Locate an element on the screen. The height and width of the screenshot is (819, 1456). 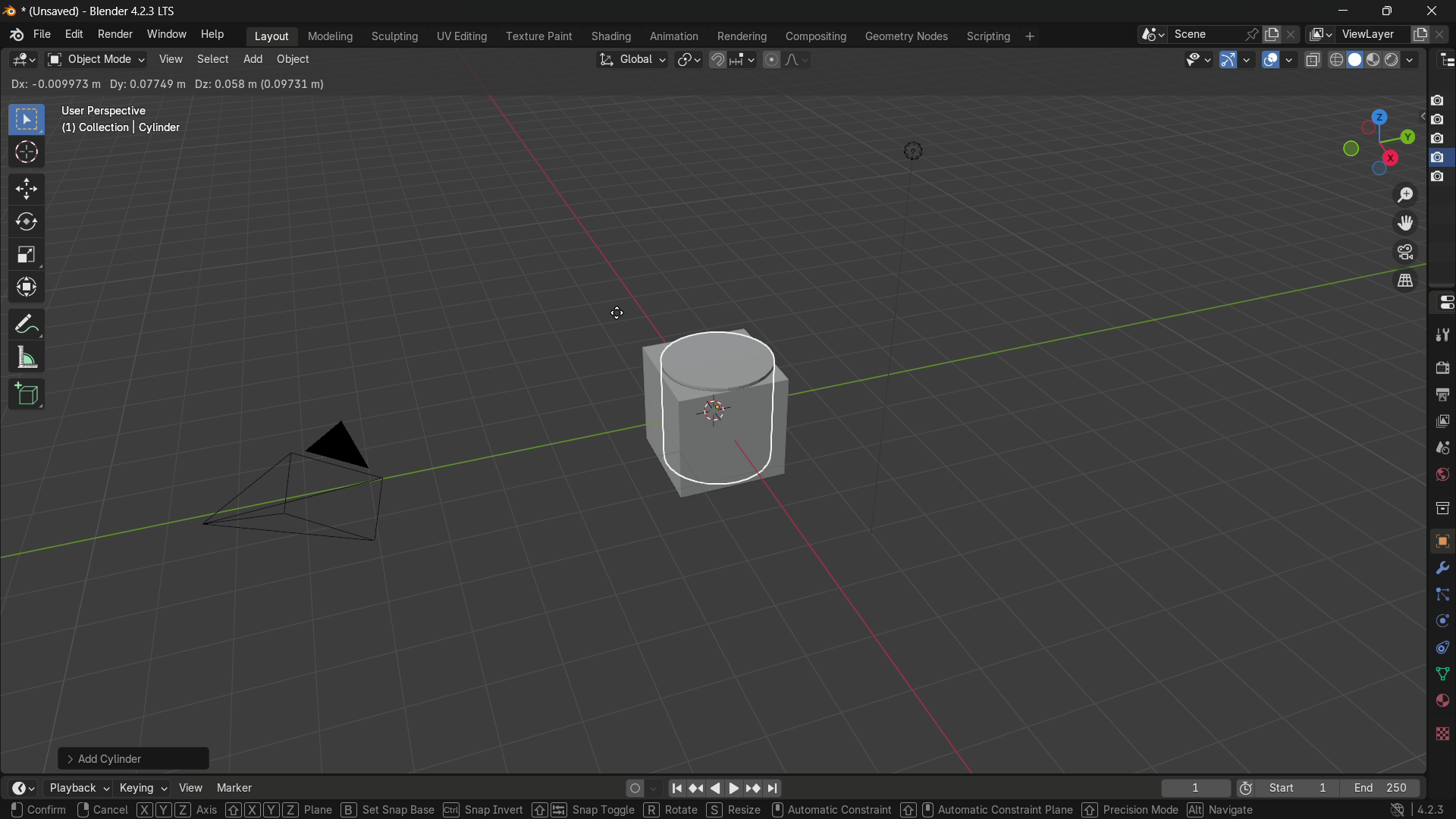
4.2.3 lts is located at coordinates (1419, 810).